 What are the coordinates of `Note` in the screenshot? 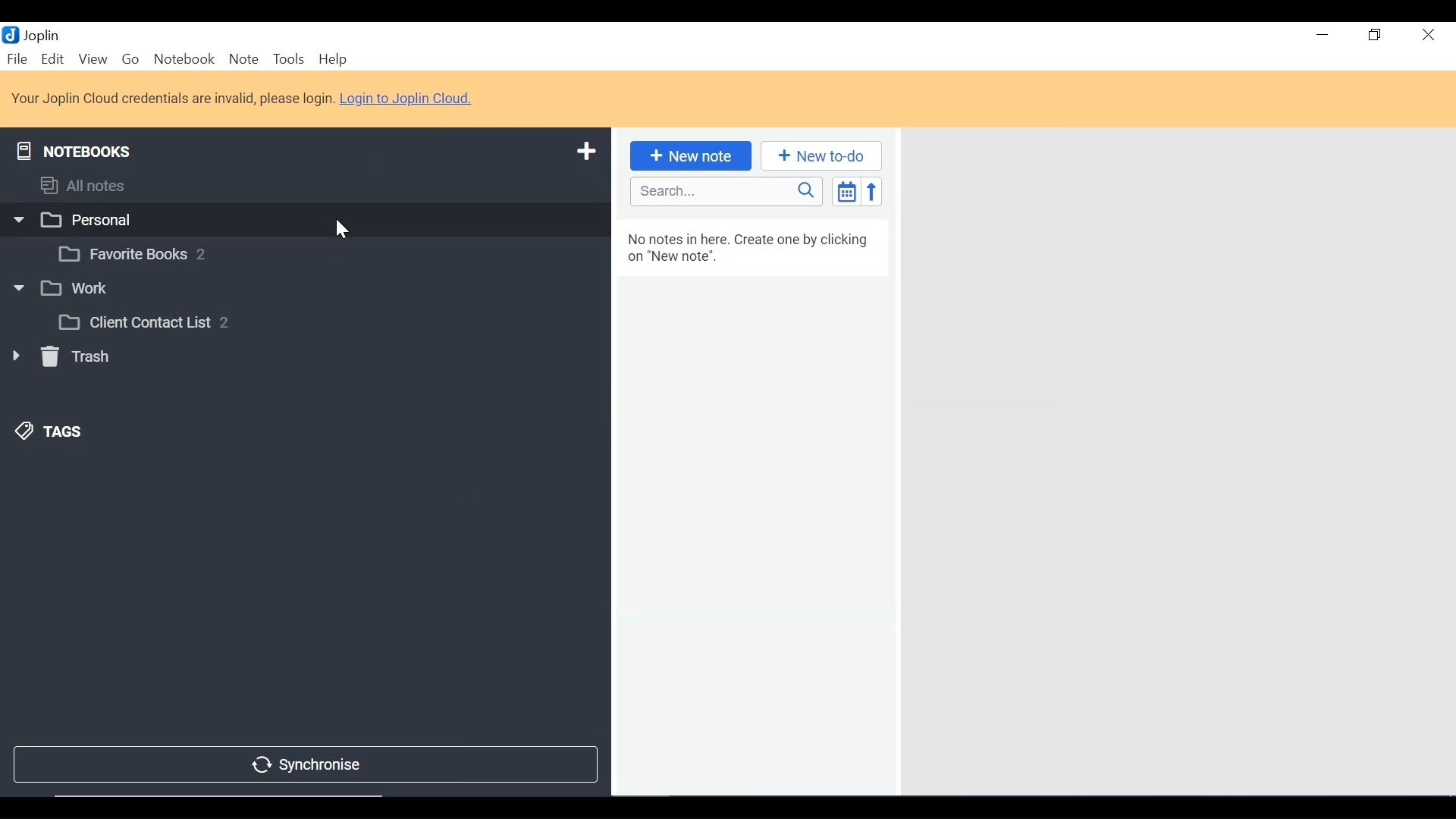 It's located at (243, 60).